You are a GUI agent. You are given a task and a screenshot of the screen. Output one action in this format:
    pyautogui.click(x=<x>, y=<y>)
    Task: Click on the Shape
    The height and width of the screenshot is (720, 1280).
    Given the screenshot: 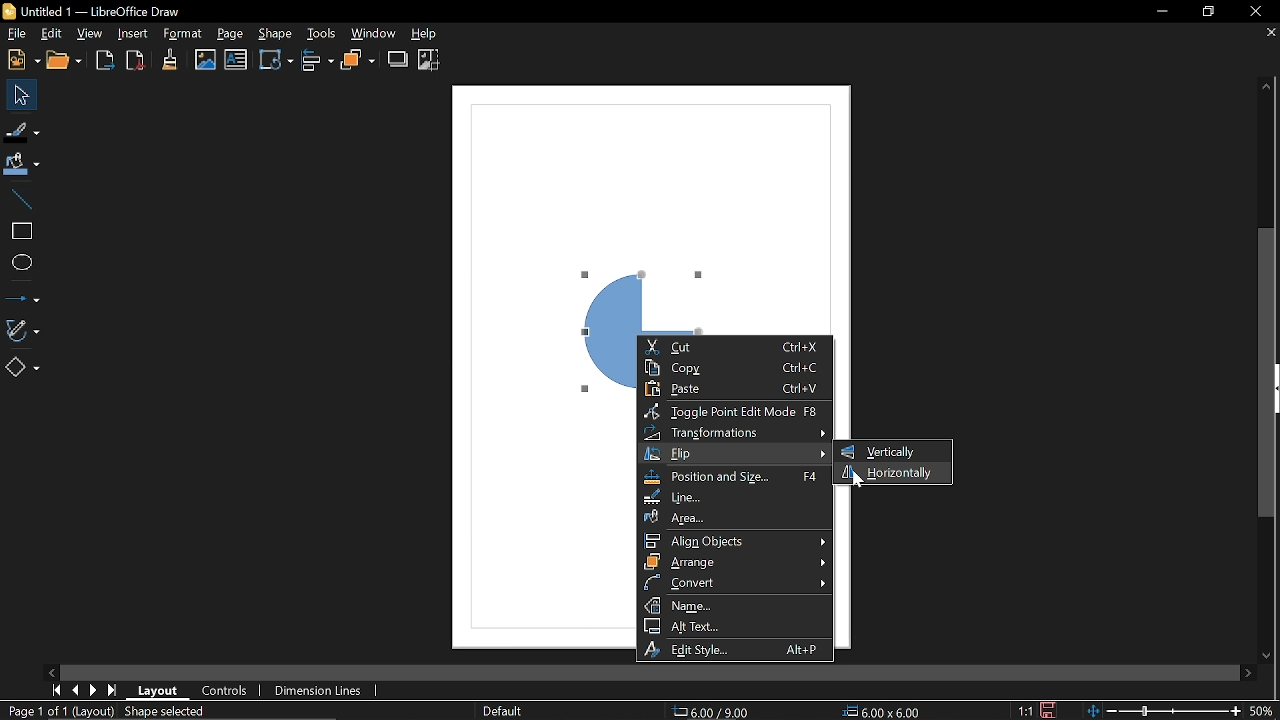 What is the action you would take?
    pyautogui.click(x=278, y=33)
    